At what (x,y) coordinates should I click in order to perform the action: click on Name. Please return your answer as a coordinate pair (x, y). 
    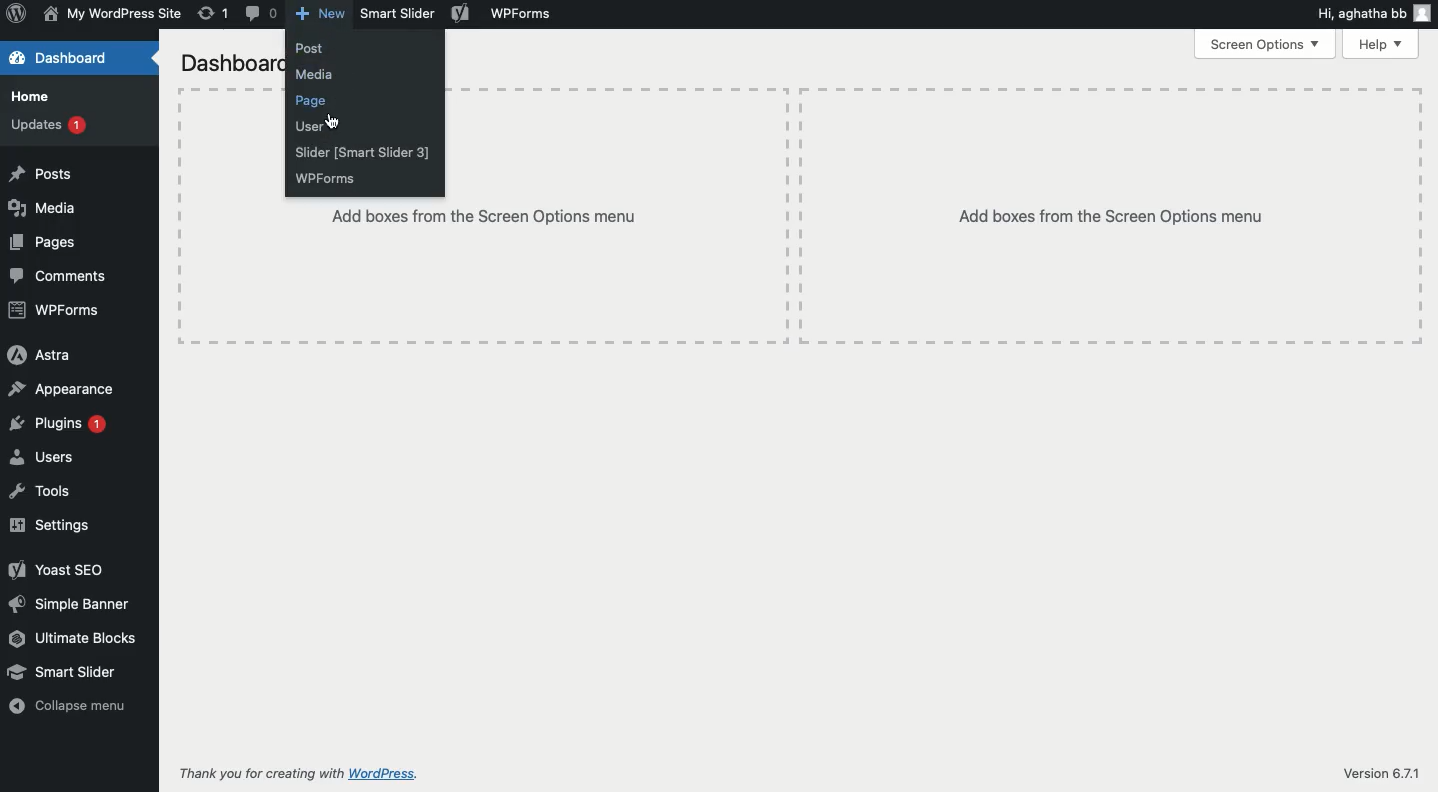
    Looking at the image, I should click on (113, 14).